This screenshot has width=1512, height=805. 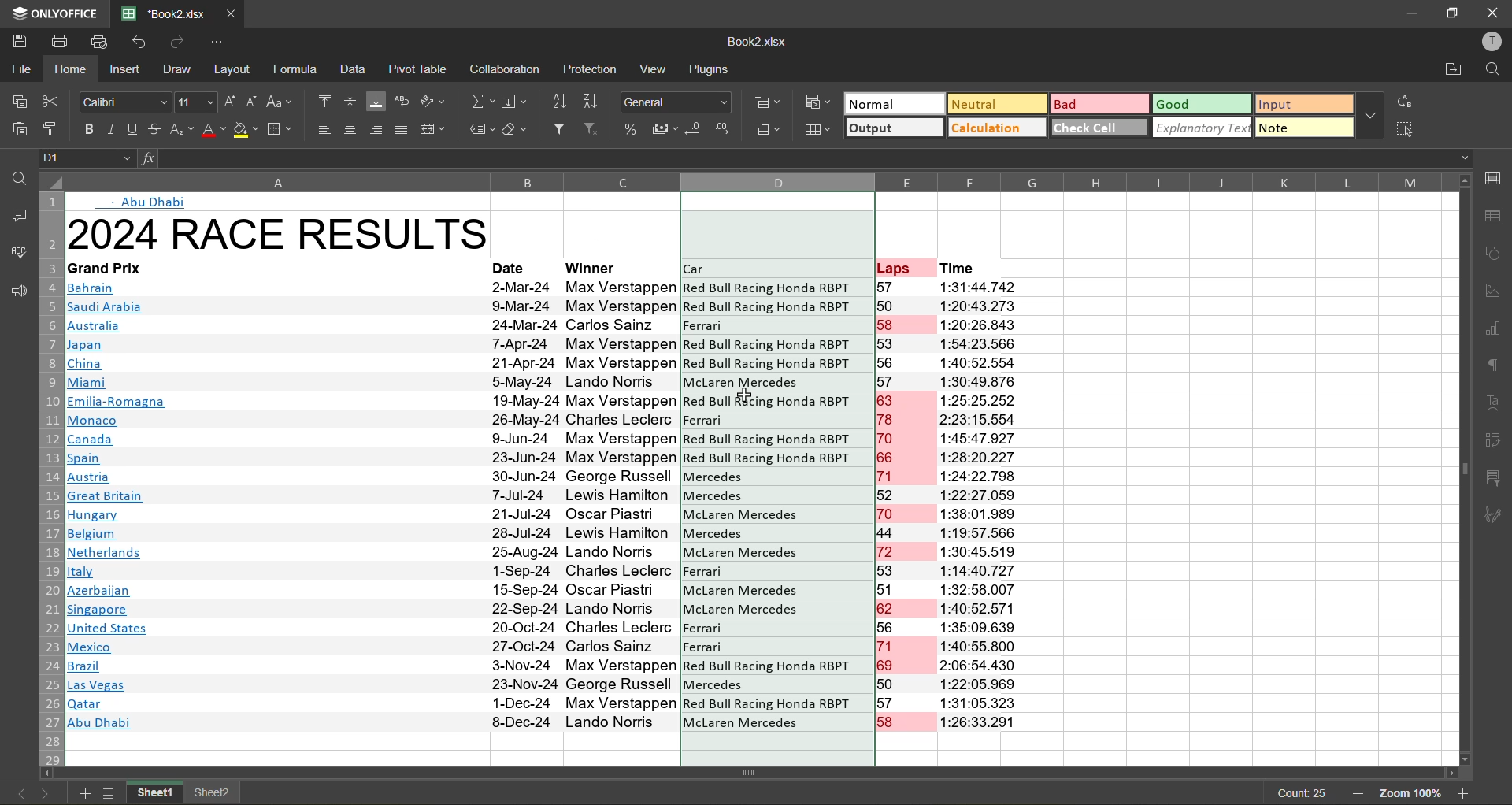 I want to click on shapes, so click(x=1497, y=255).